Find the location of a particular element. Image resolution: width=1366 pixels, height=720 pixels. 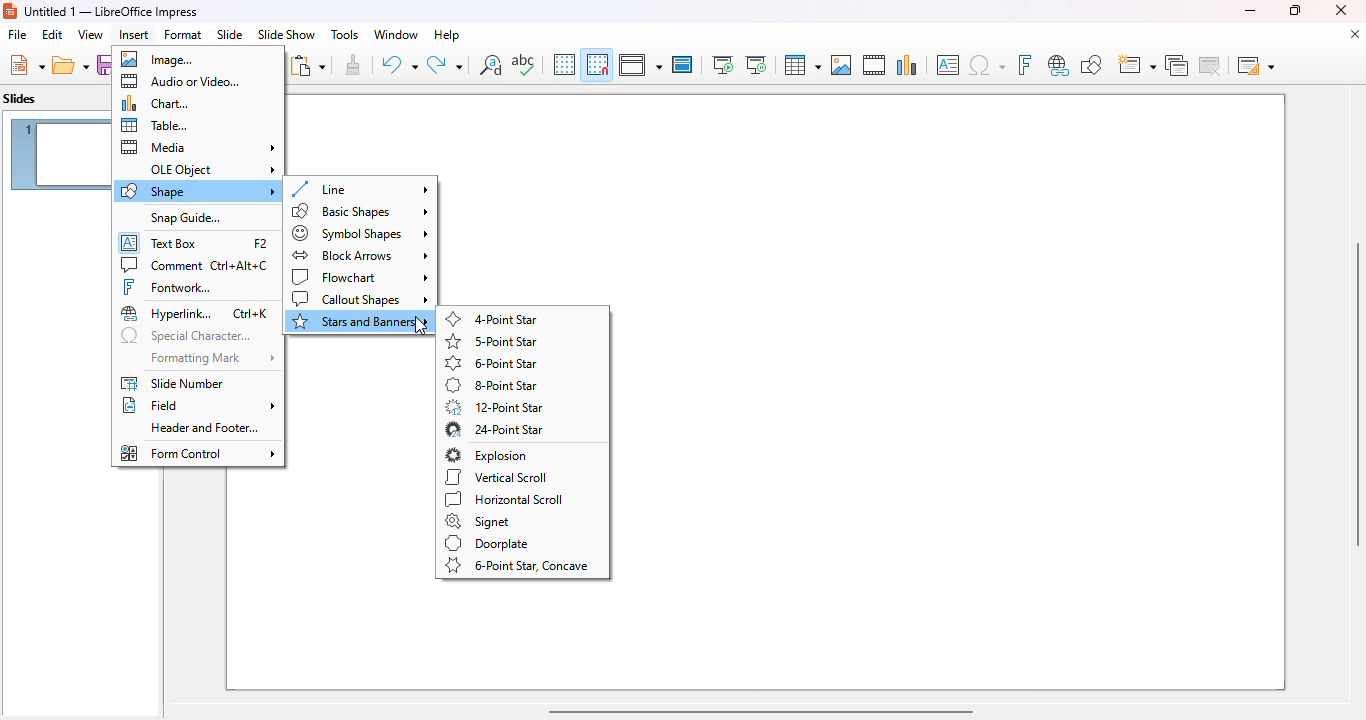

insert hyperlink is located at coordinates (1059, 65).